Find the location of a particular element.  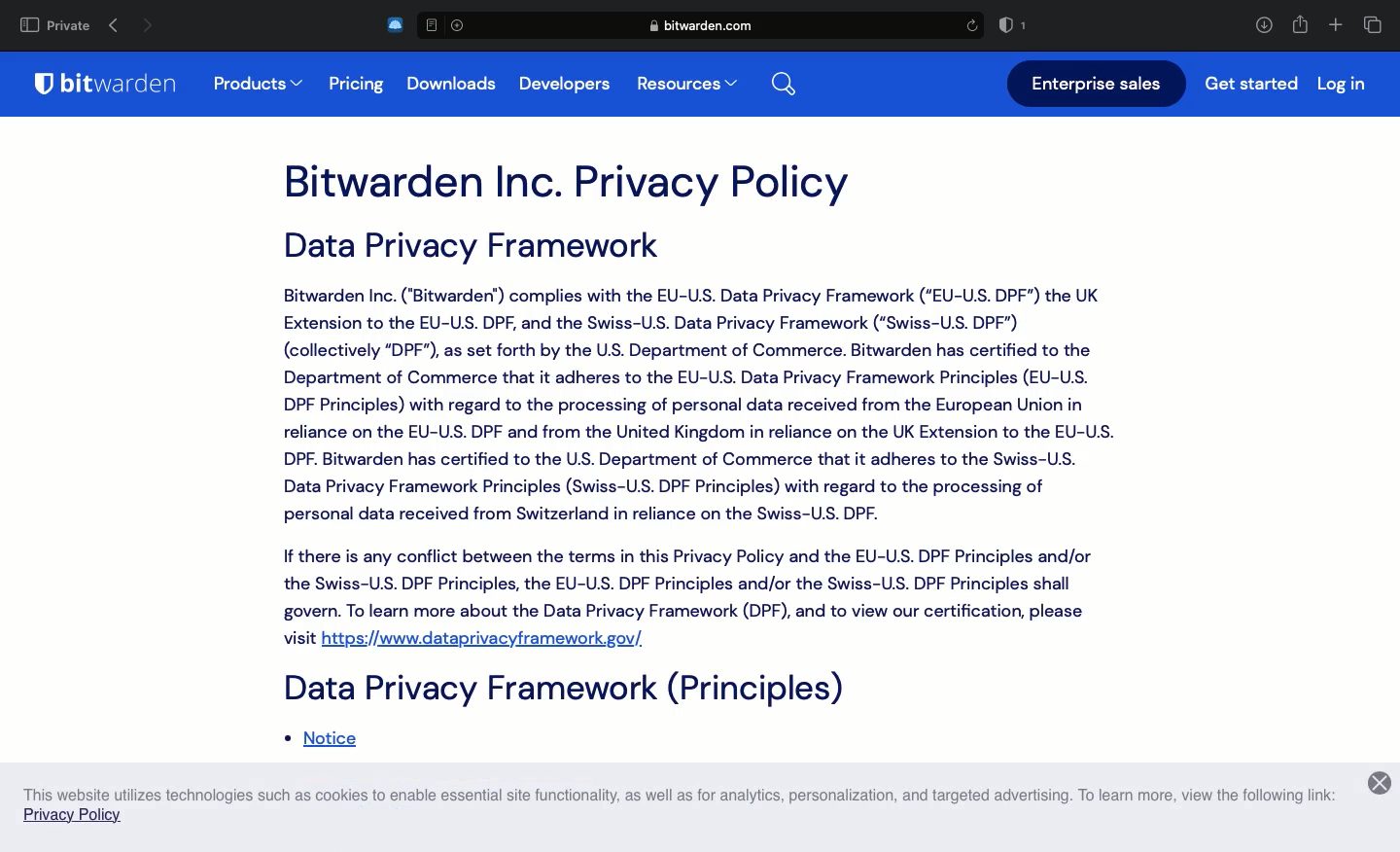

Add tab is located at coordinates (1335, 25).